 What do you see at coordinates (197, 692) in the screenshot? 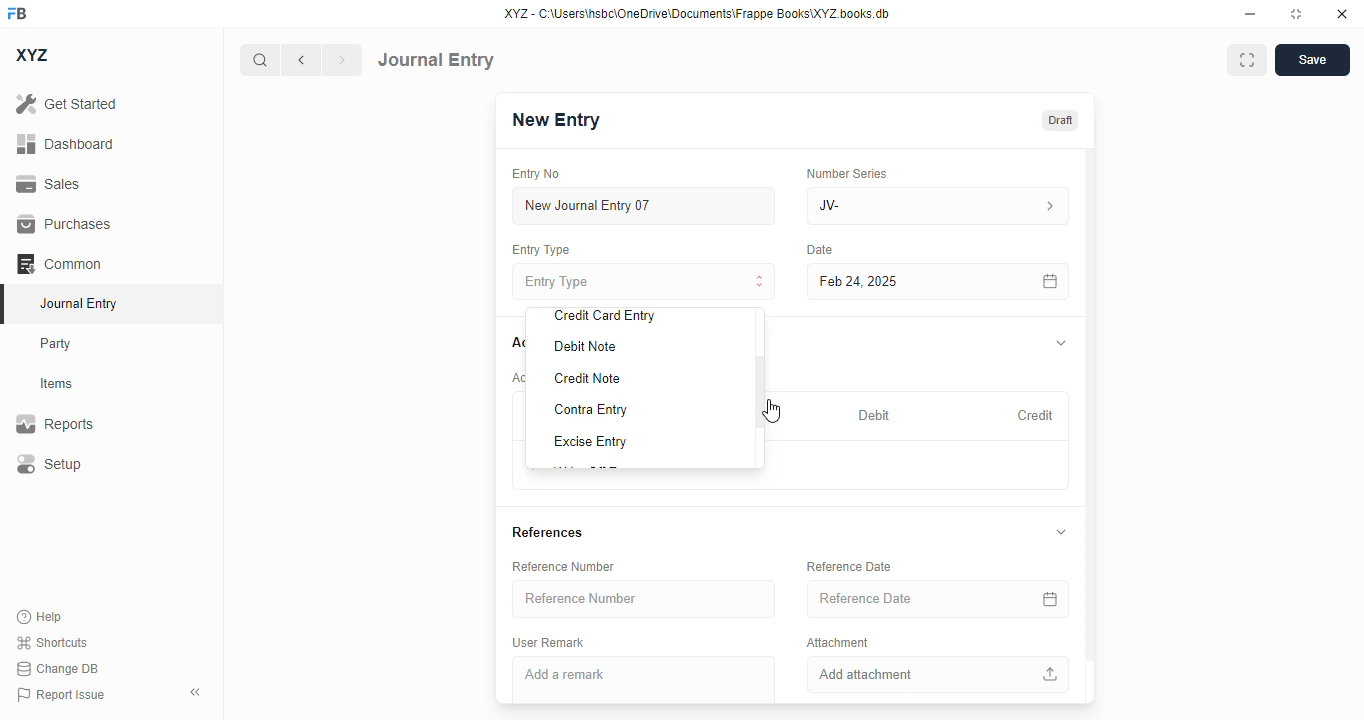
I see `toggle sidebar` at bounding box center [197, 692].